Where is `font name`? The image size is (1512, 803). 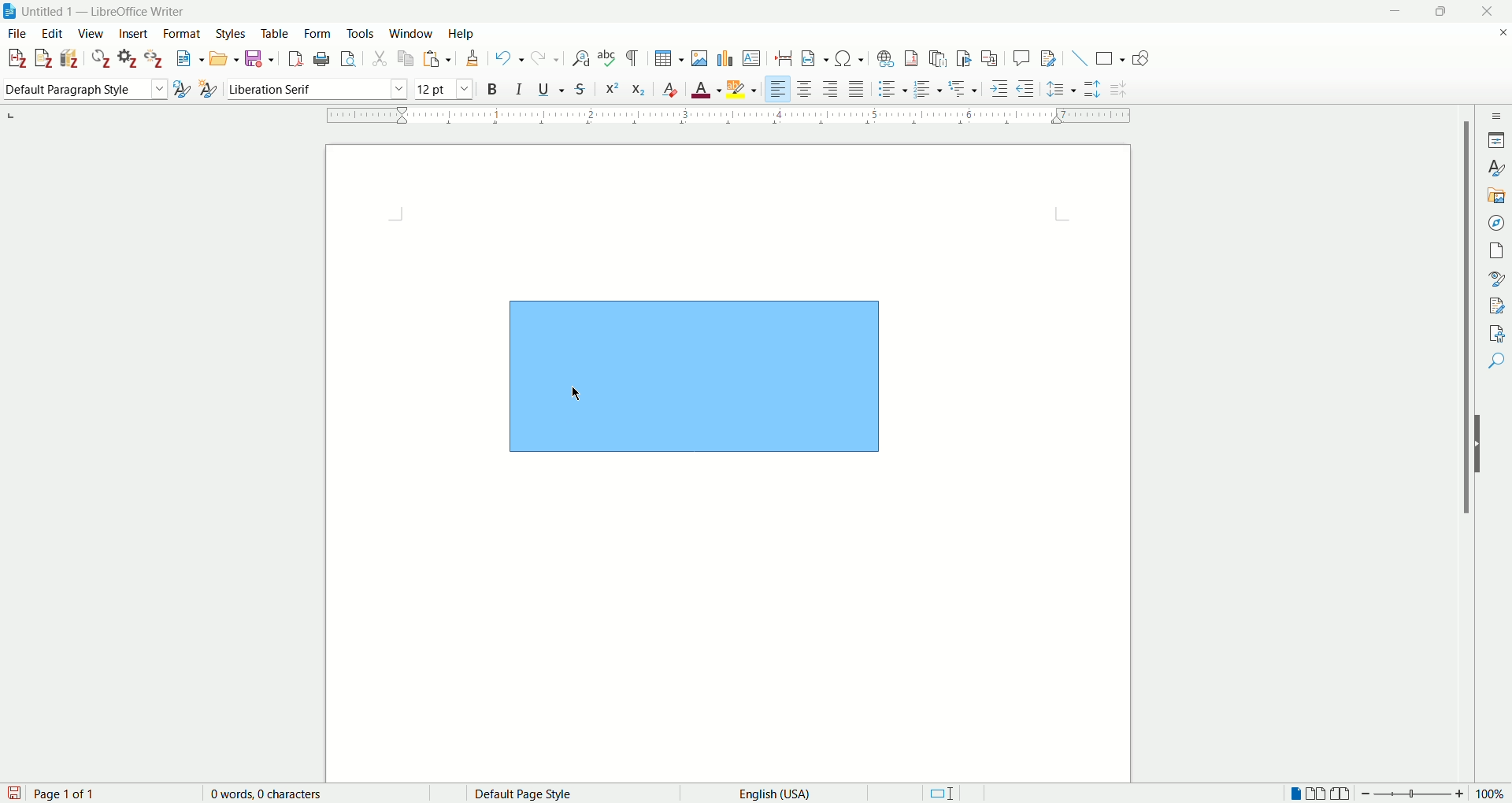 font name is located at coordinates (317, 87).